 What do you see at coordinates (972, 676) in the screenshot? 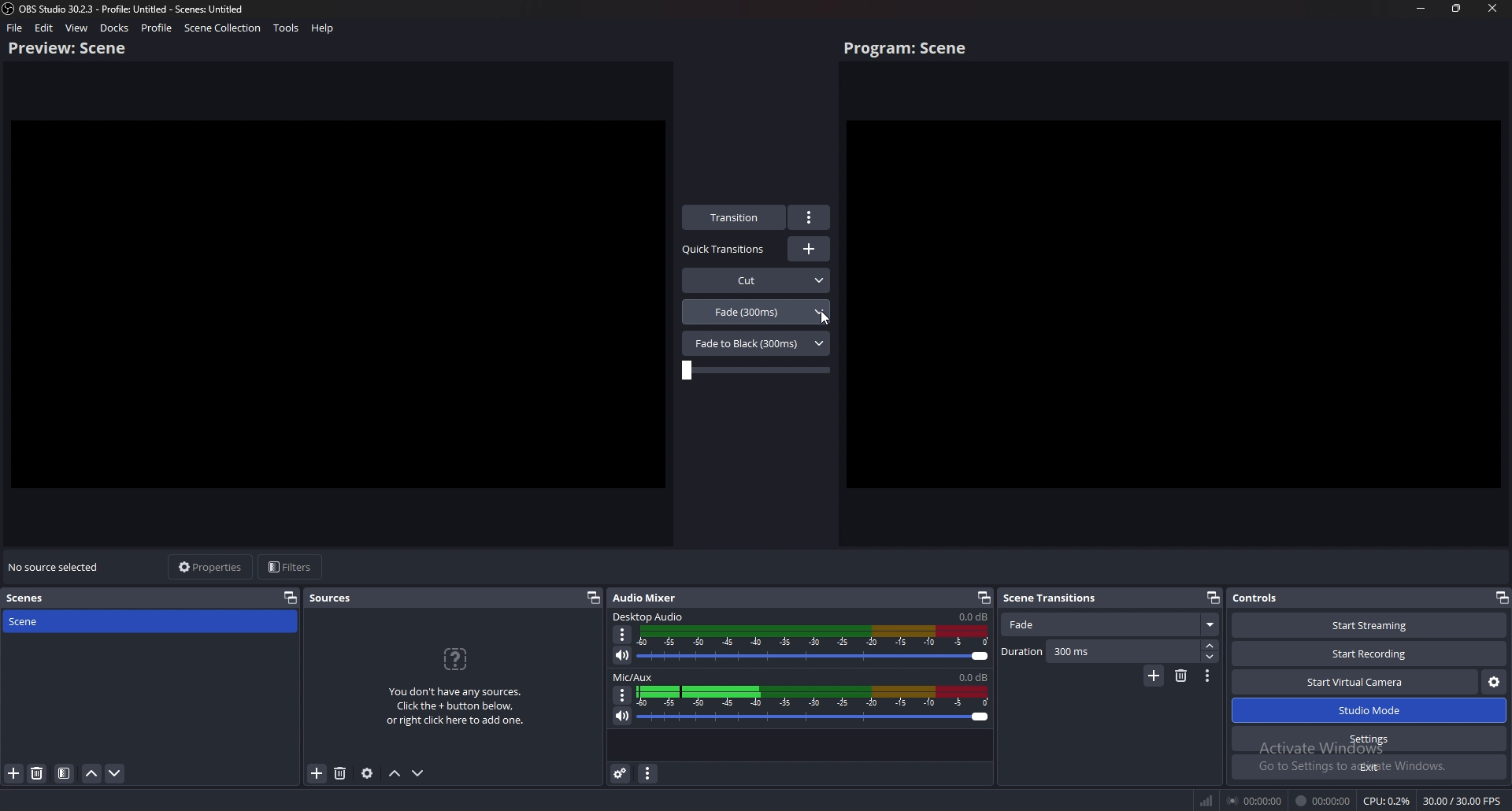
I see `mic/aux sound` at bounding box center [972, 676].